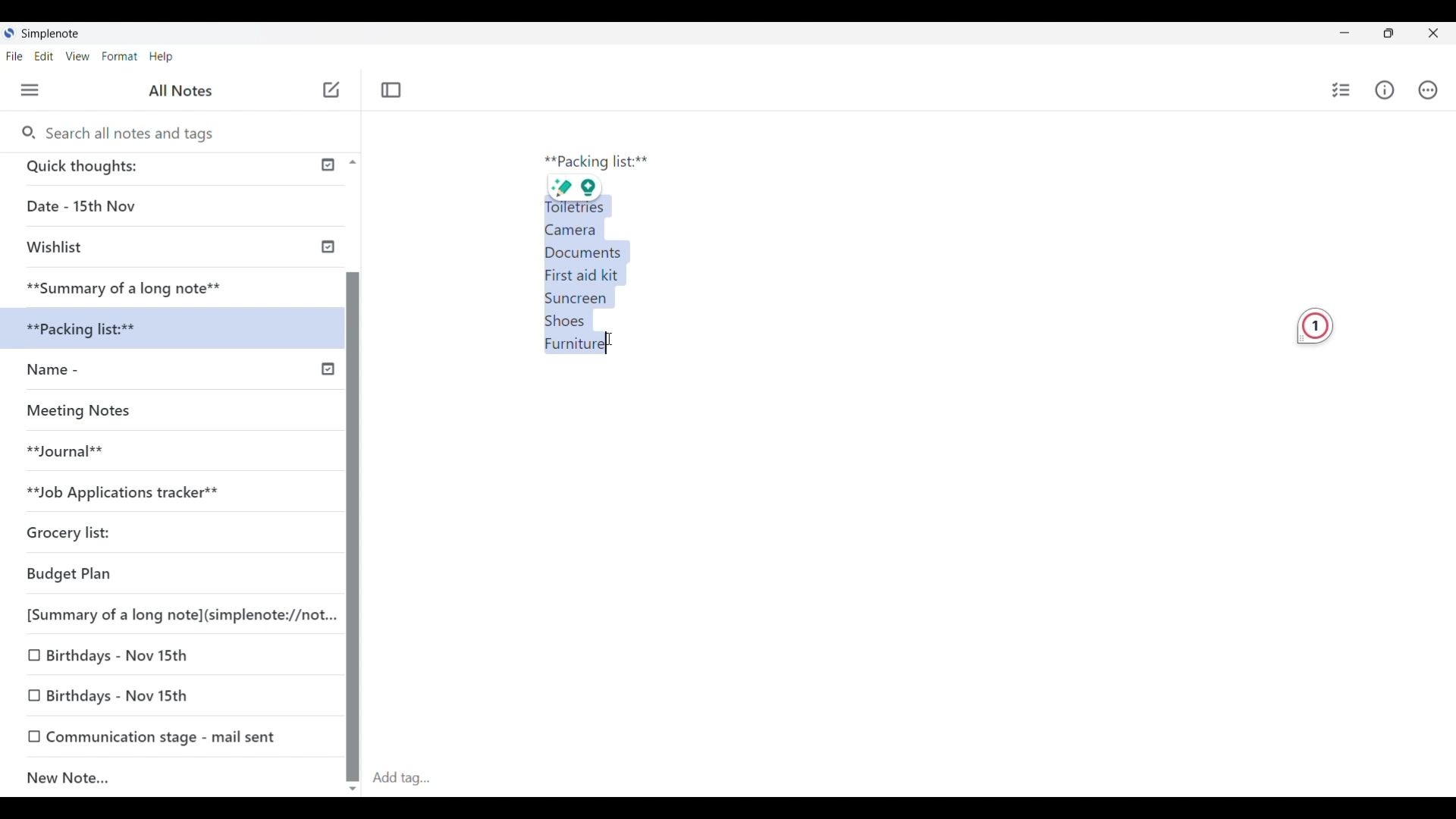 The width and height of the screenshot is (1456, 819). Describe the element at coordinates (353, 162) in the screenshot. I see `Quick slide to top` at that location.